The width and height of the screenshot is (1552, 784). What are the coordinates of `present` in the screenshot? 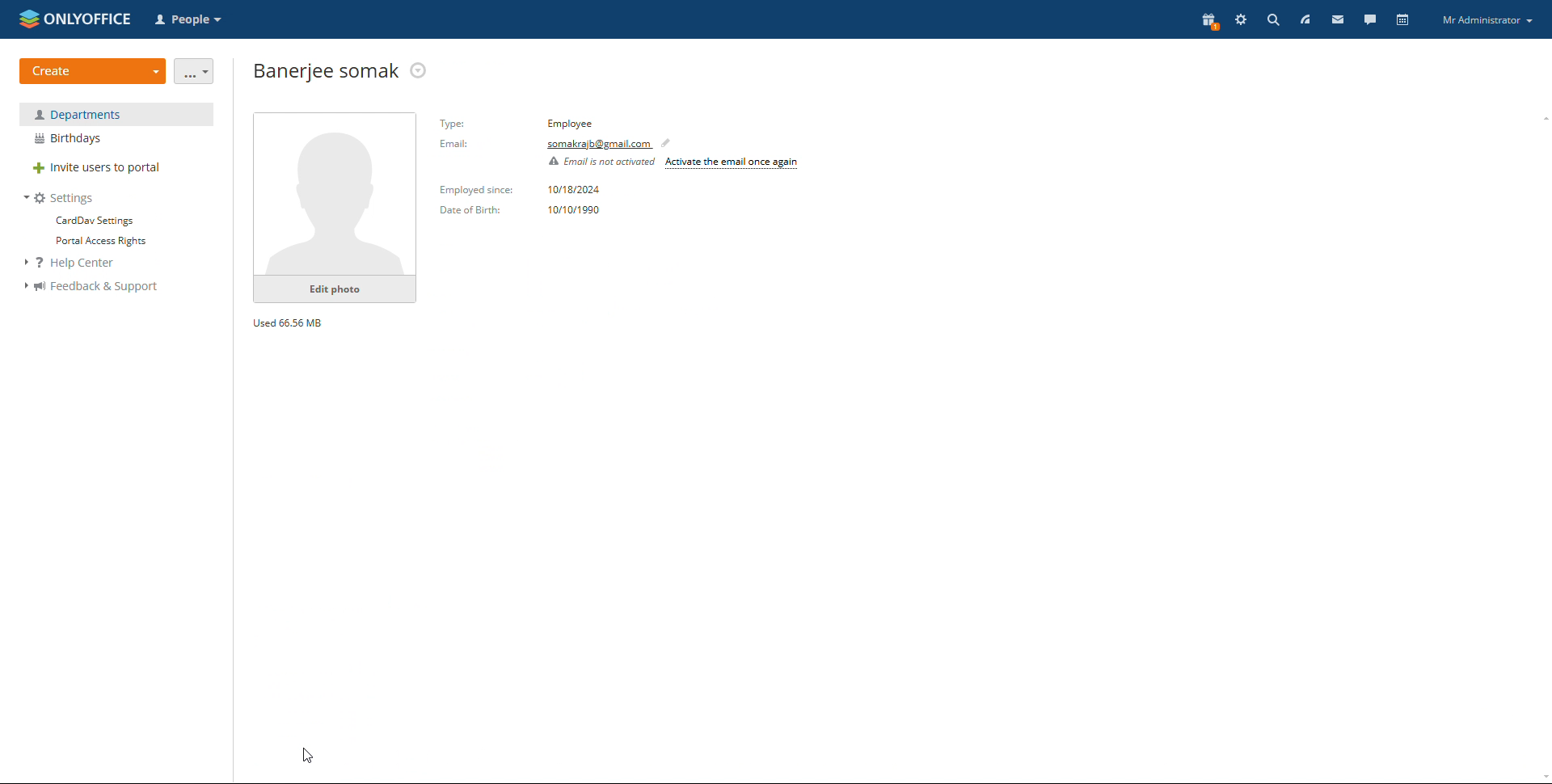 It's located at (1208, 22).